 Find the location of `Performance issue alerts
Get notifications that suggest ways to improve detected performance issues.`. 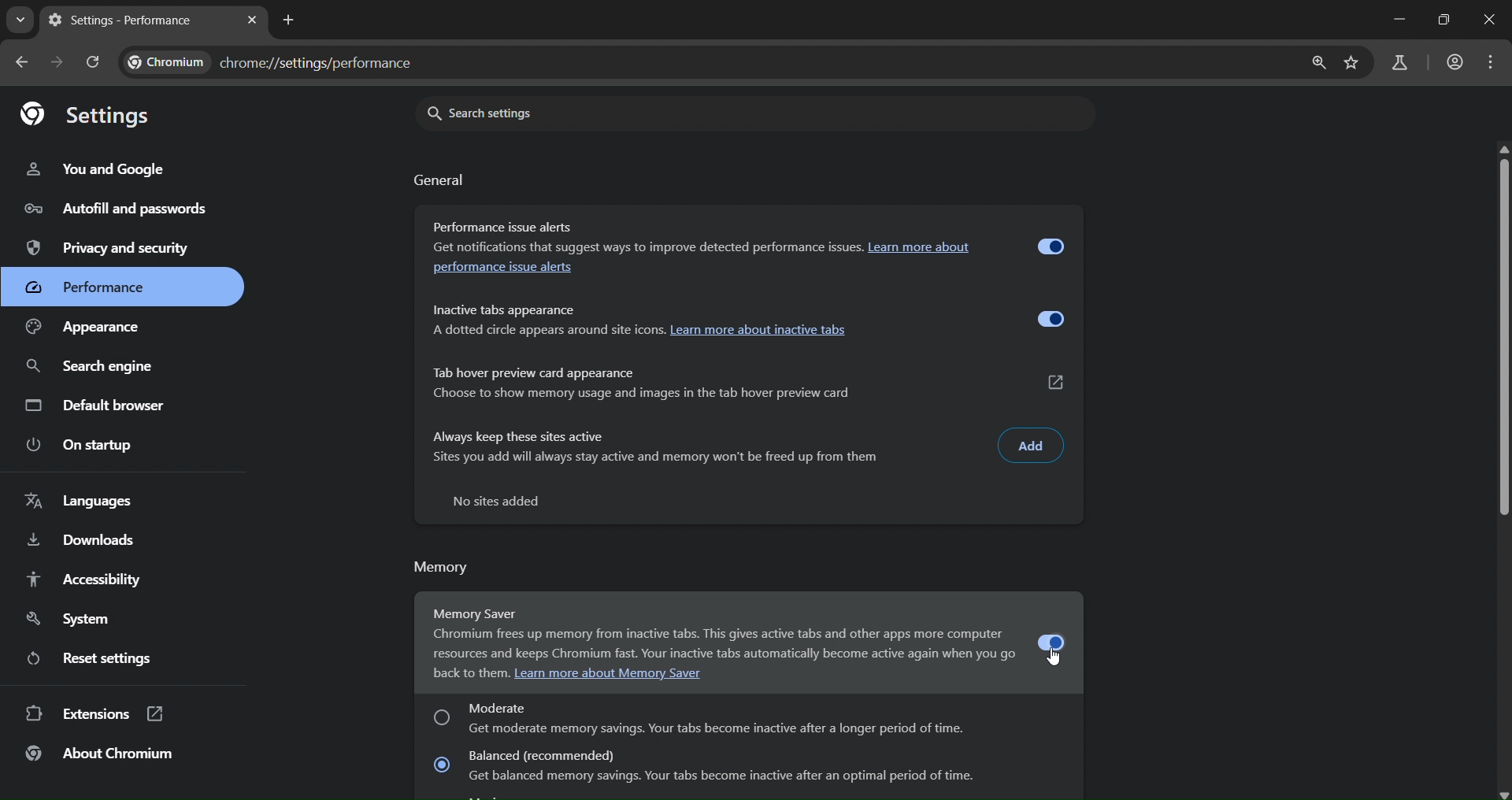

Performance issue alerts
Get notifications that suggest ways to improve detected performance issues. is located at coordinates (647, 236).